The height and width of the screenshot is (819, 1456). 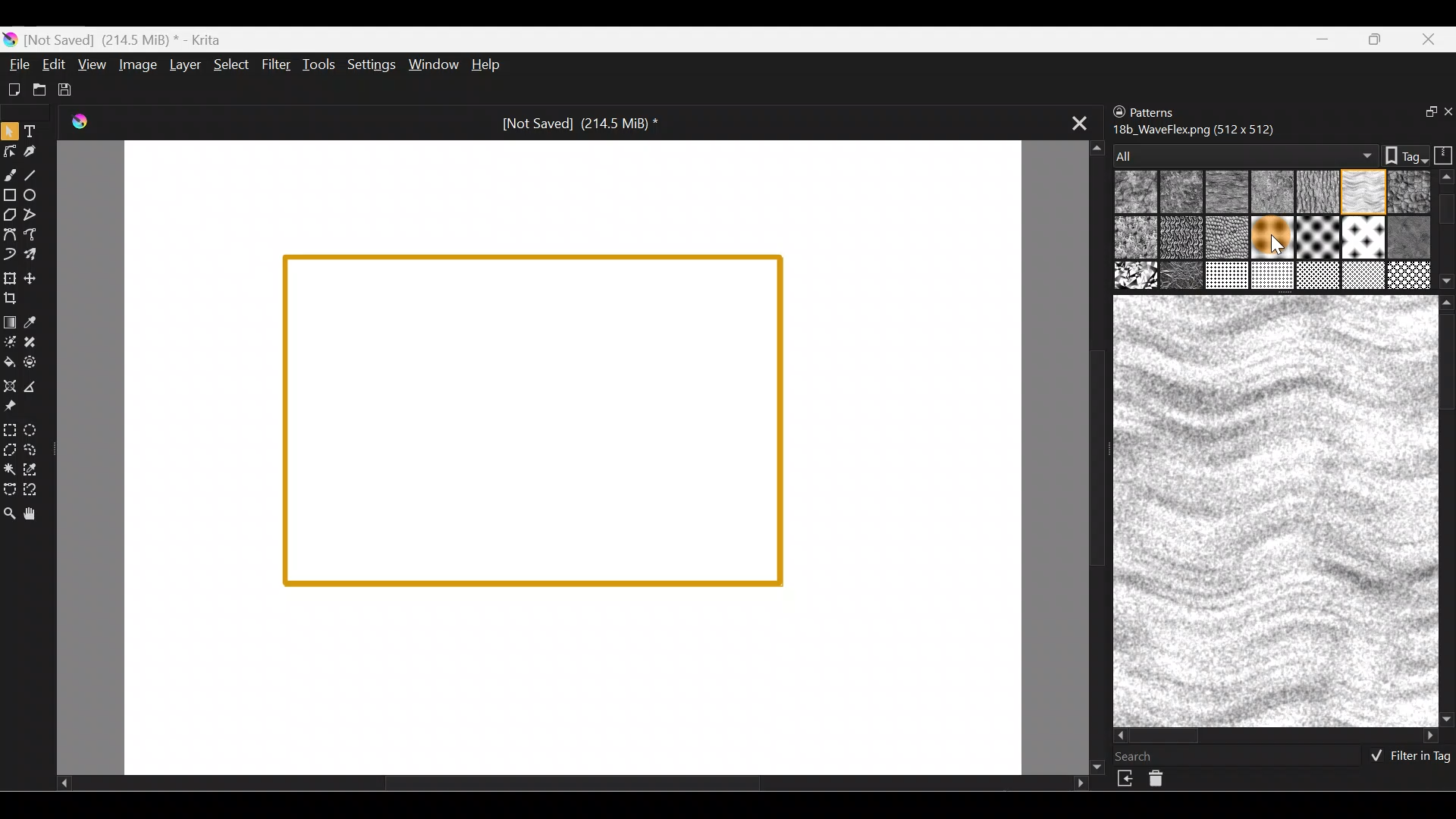 I want to click on 13 drawed_swirl.png, so click(x=1412, y=235).